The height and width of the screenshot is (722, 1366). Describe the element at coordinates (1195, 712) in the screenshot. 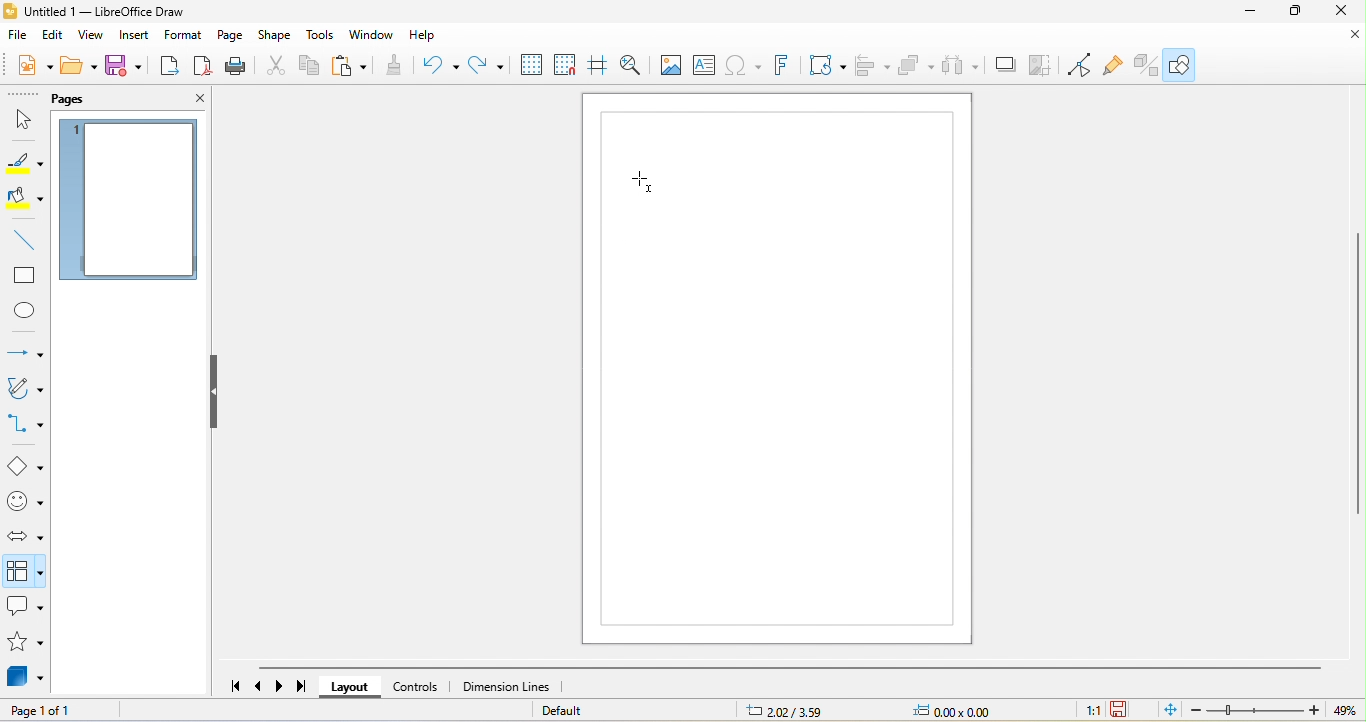

I see `zoom out` at that location.